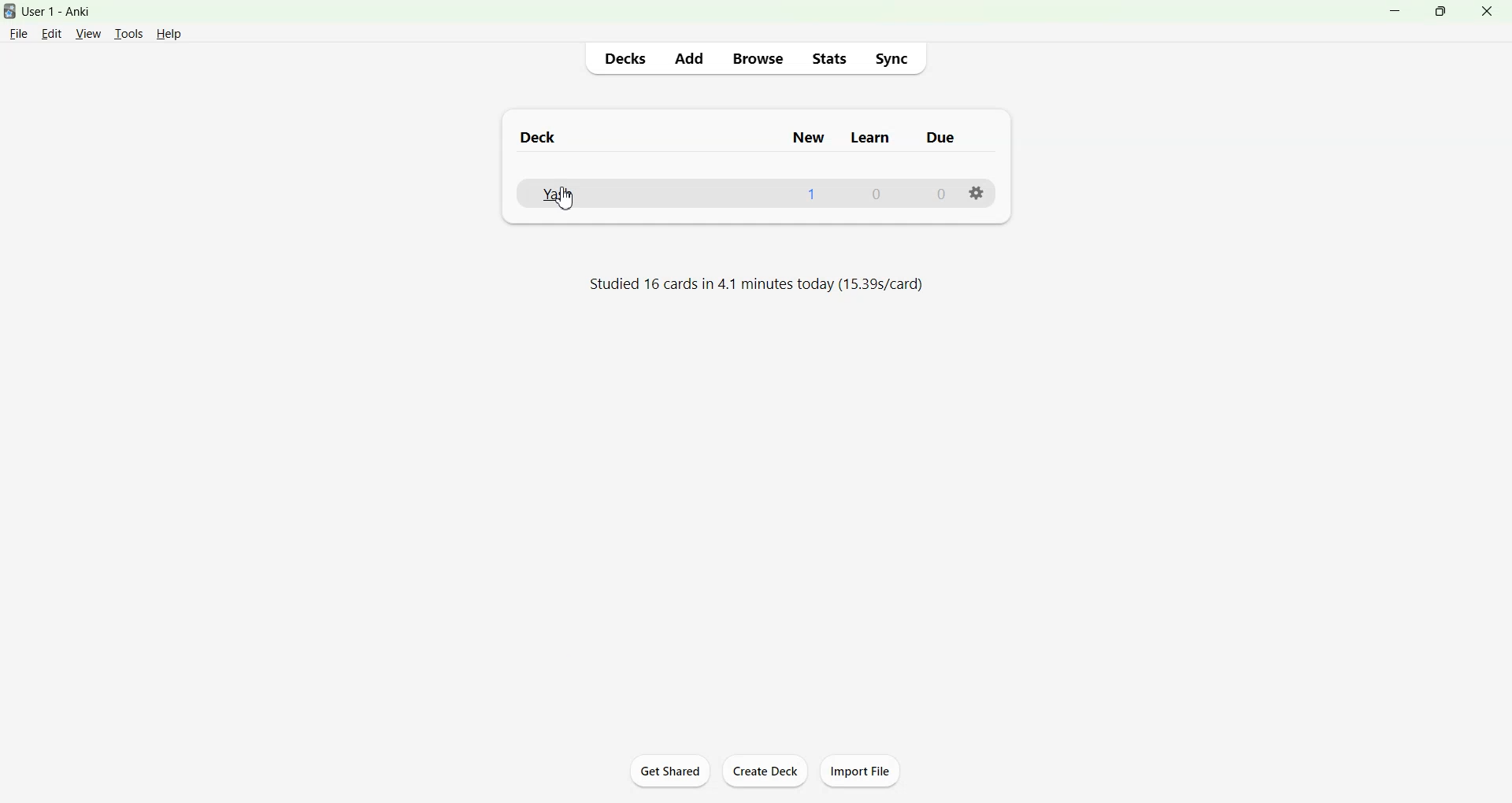 This screenshot has width=1512, height=803. Describe the element at coordinates (128, 34) in the screenshot. I see `Tools` at that location.